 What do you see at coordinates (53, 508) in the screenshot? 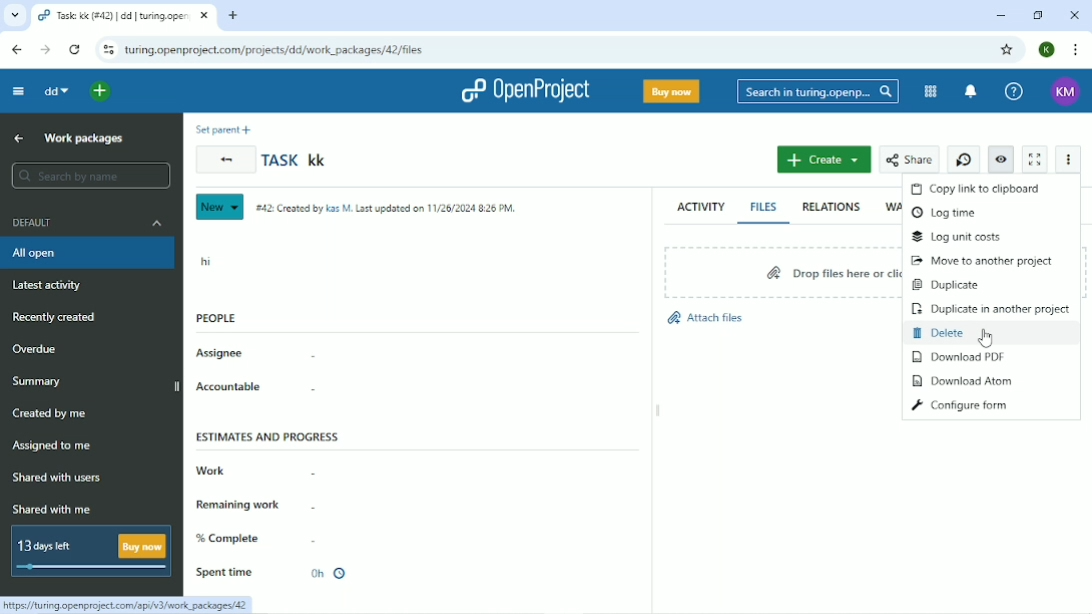
I see `Shared with me` at bounding box center [53, 508].